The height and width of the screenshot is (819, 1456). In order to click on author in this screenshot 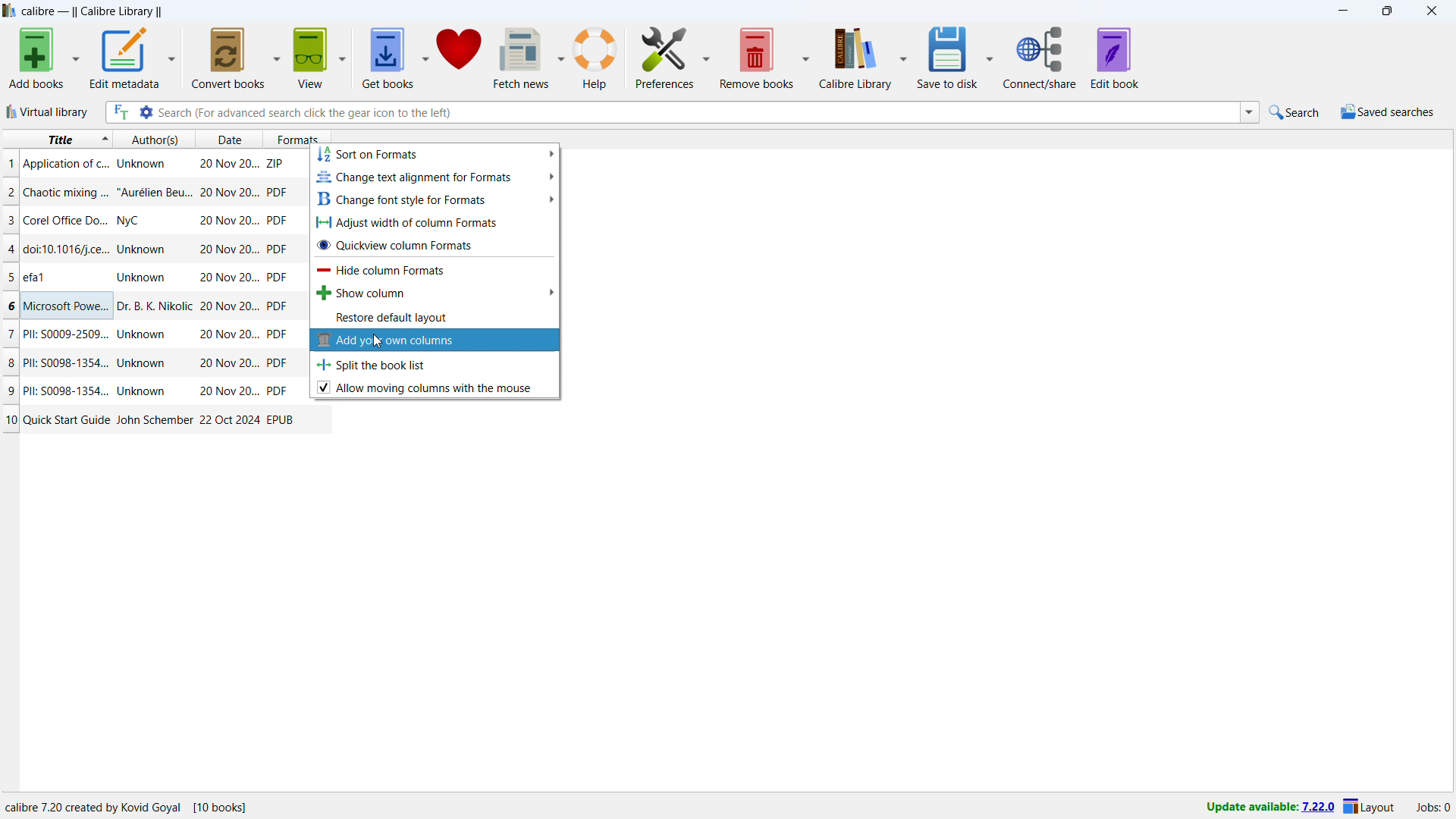, I will do `click(153, 420)`.